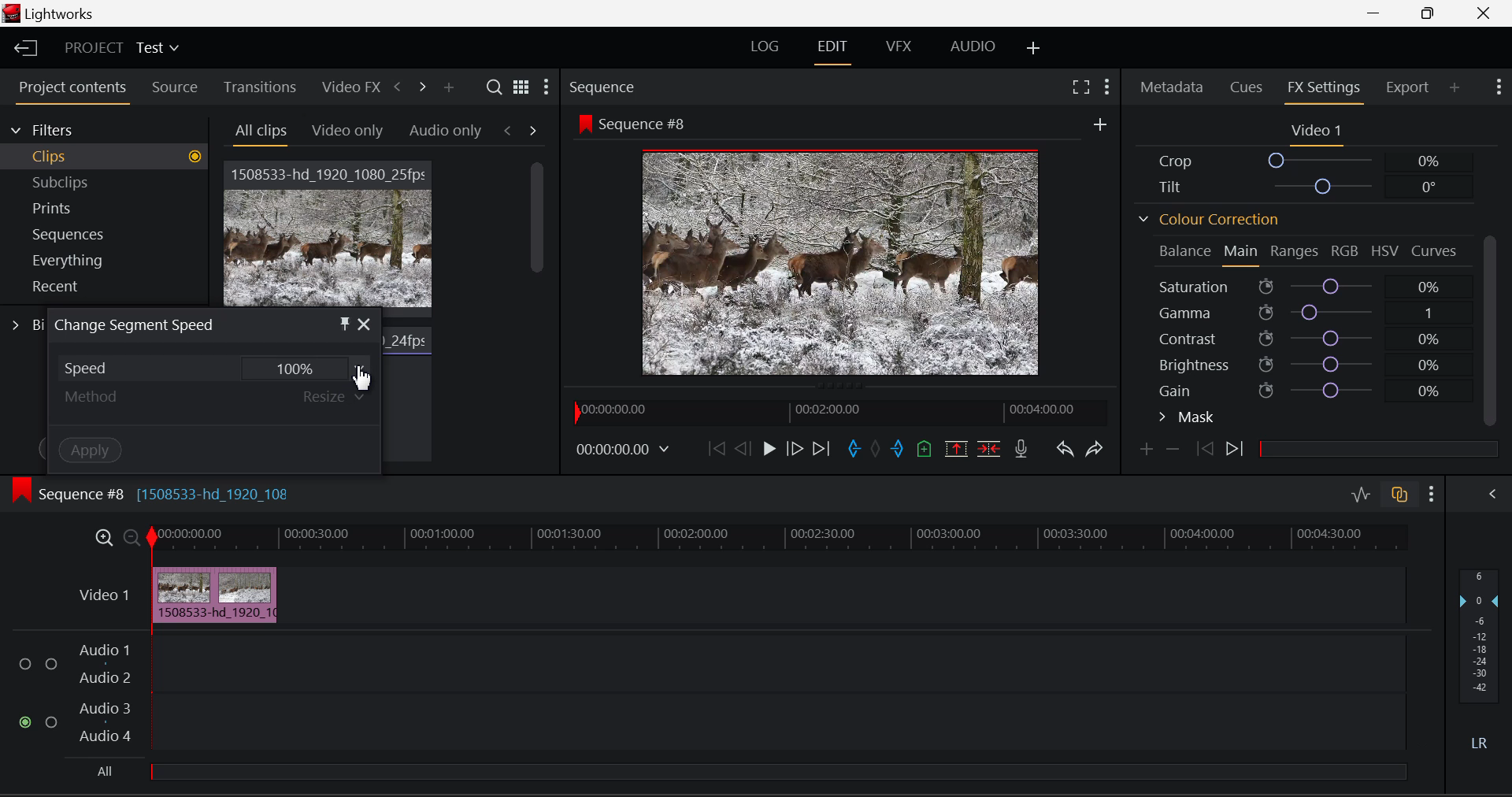 This screenshot has width=1512, height=797. I want to click on Cut In, so click(852, 449).